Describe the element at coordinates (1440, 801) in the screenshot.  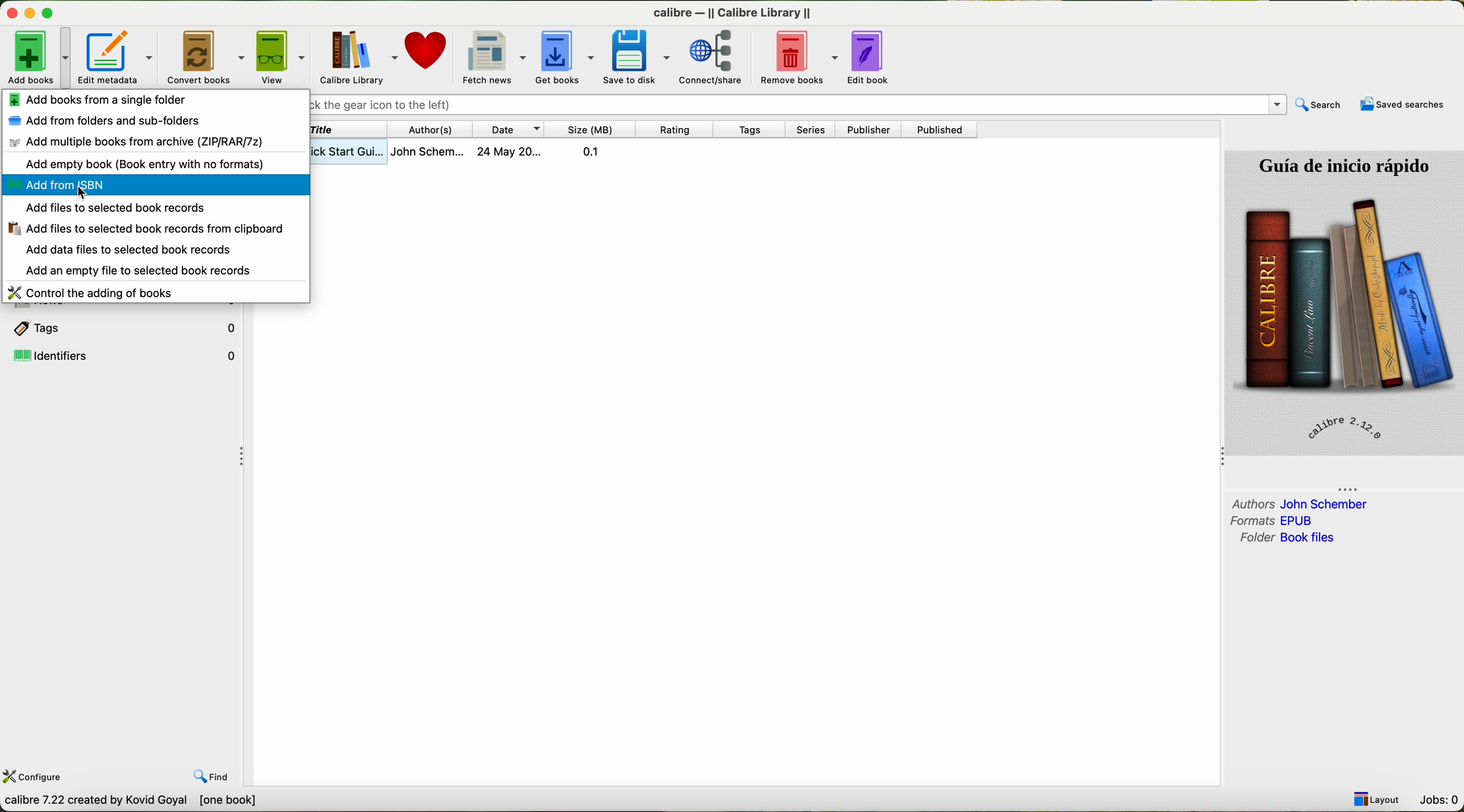
I see `Jobs: 0` at that location.